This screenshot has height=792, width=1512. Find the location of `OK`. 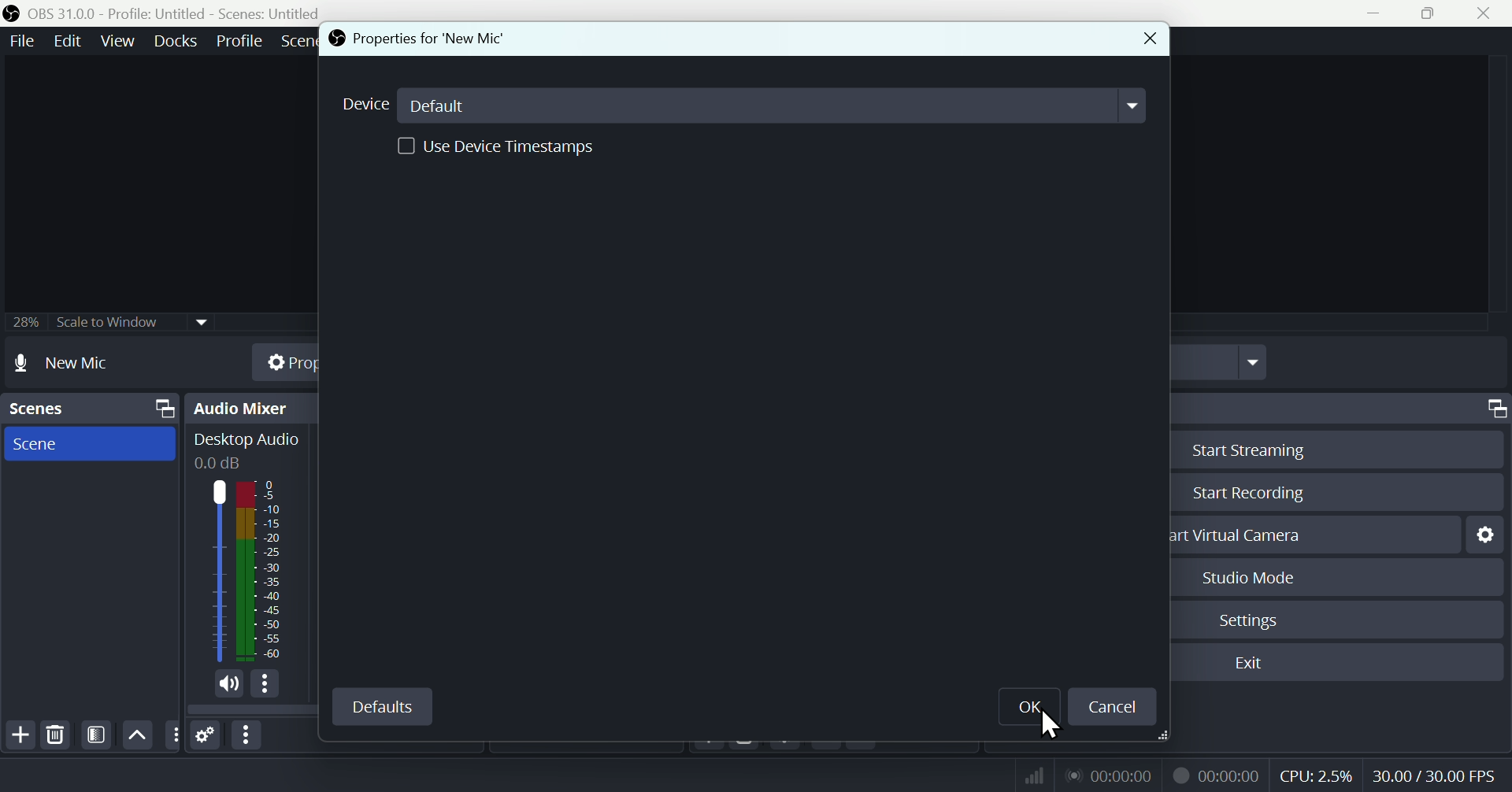

OK is located at coordinates (1028, 709).